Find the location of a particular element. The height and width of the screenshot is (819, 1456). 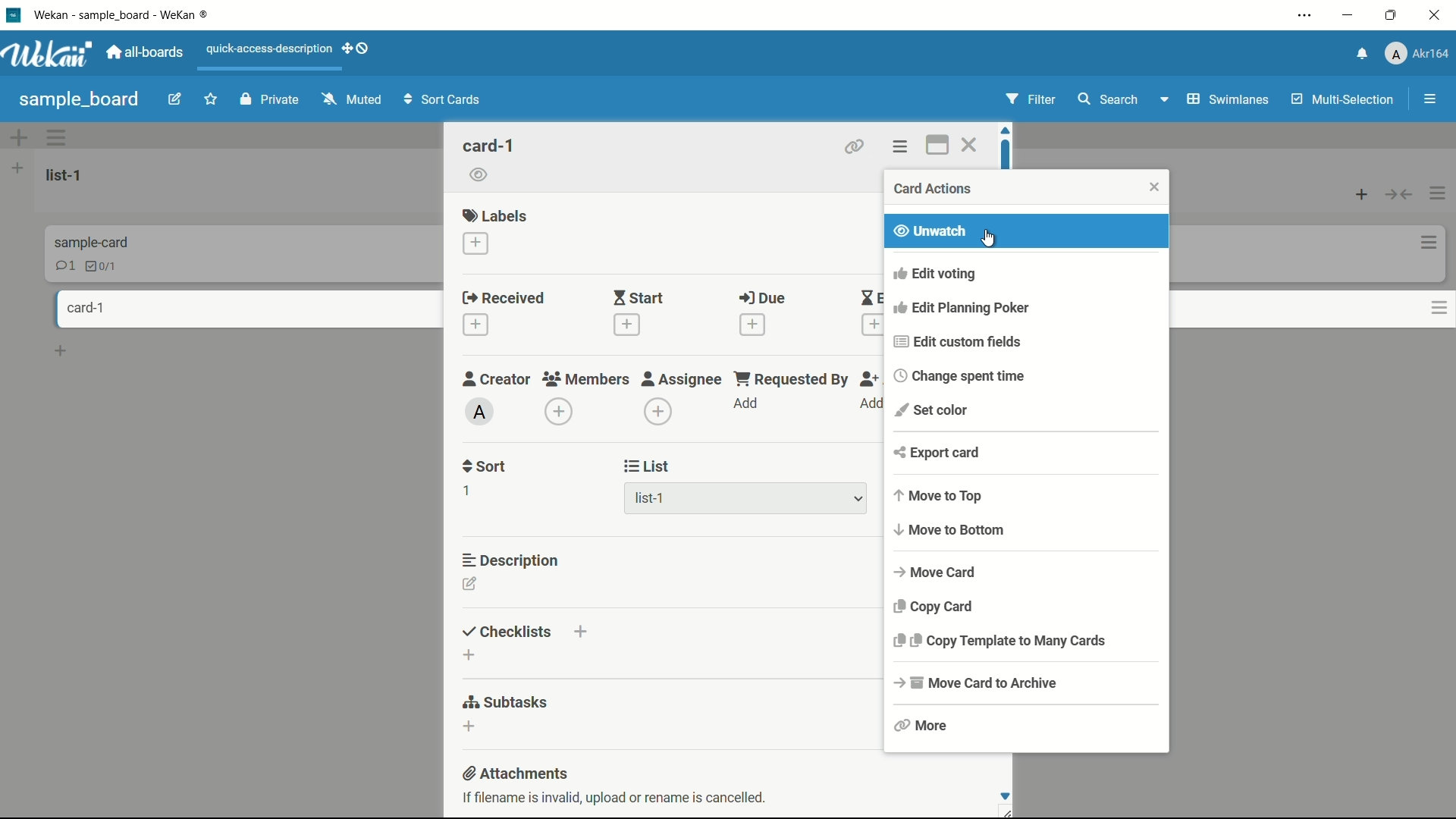

list-1 is located at coordinates (673, 497).